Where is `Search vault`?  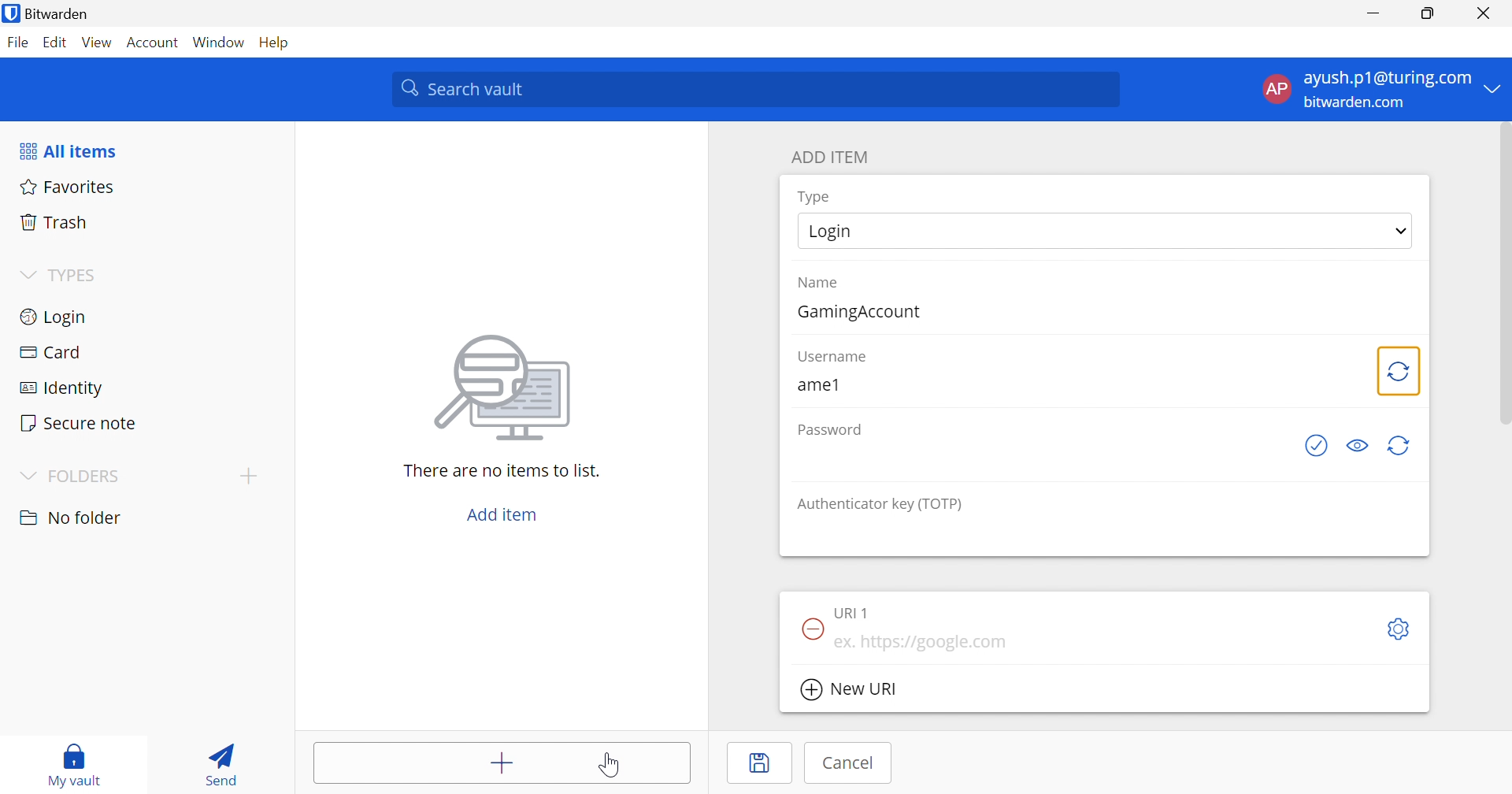 Search vault is located at coordinates (757, 89).